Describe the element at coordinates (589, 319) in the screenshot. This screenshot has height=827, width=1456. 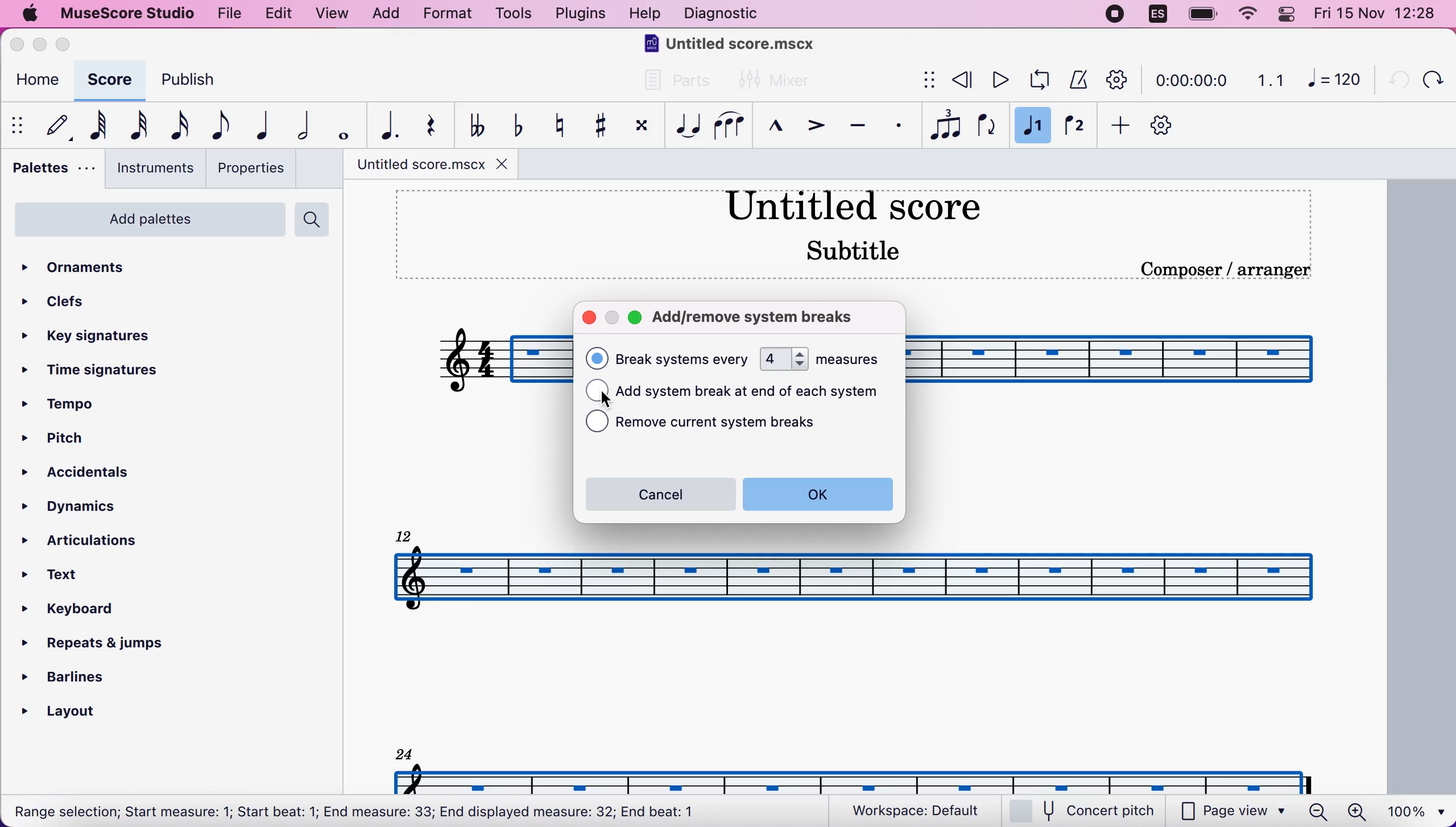
I see `close` at that location.